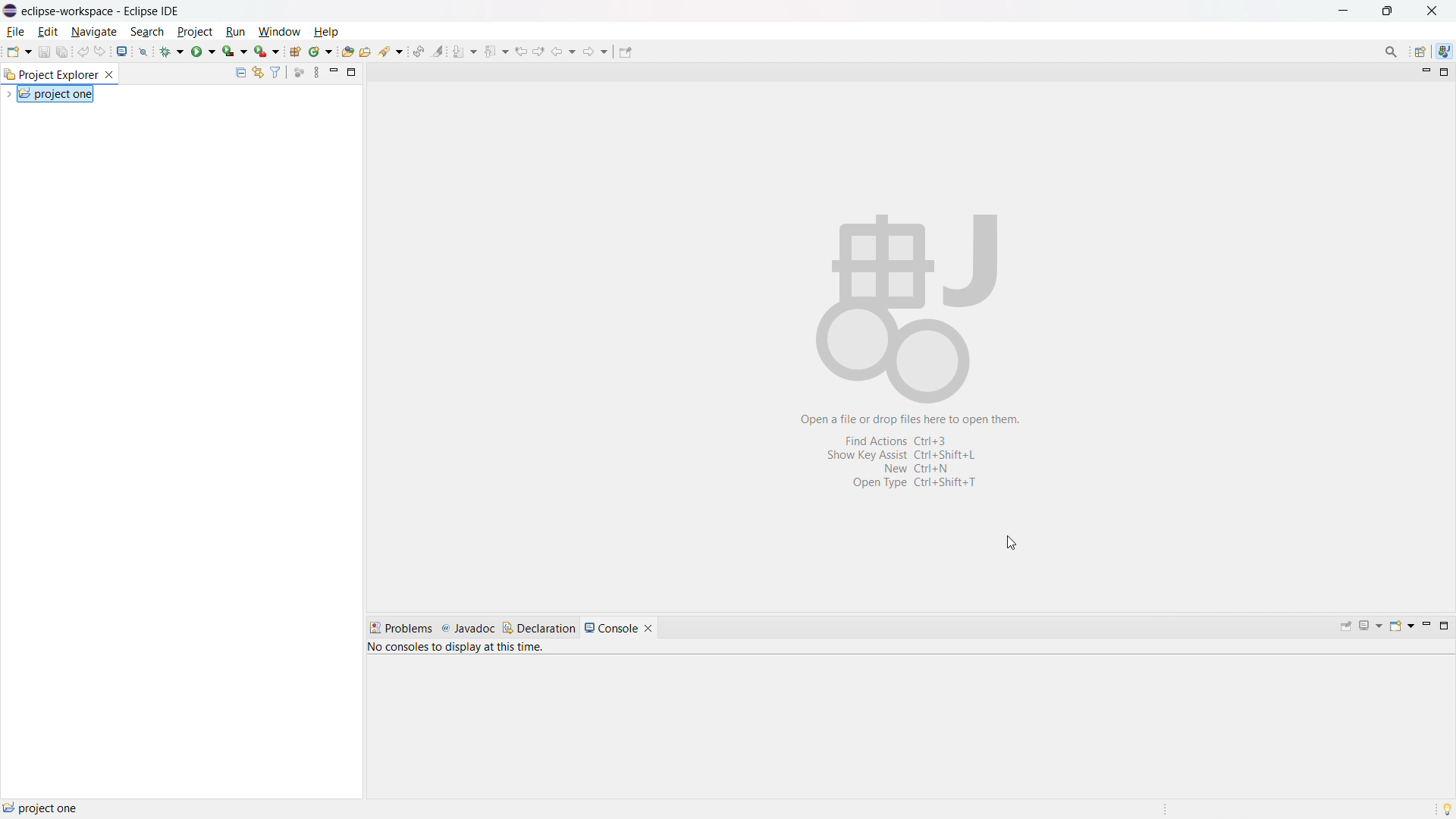  Describe the element at coordinates (911, 484) in the screenshot. I see `open type ctrl+shift+t` at that location.